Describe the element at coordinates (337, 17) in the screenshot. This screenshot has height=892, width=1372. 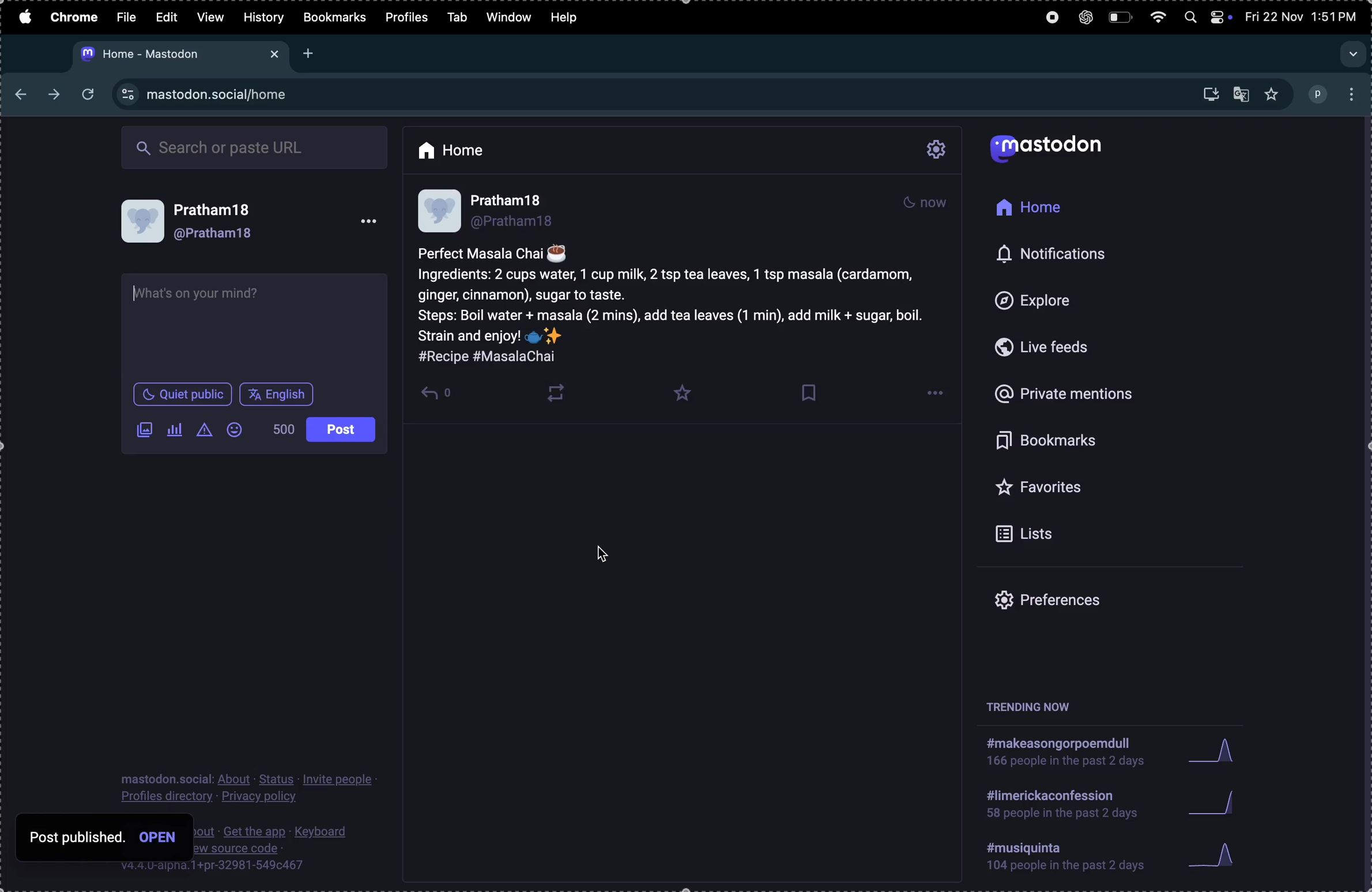
I see `bookmarks` at that location.